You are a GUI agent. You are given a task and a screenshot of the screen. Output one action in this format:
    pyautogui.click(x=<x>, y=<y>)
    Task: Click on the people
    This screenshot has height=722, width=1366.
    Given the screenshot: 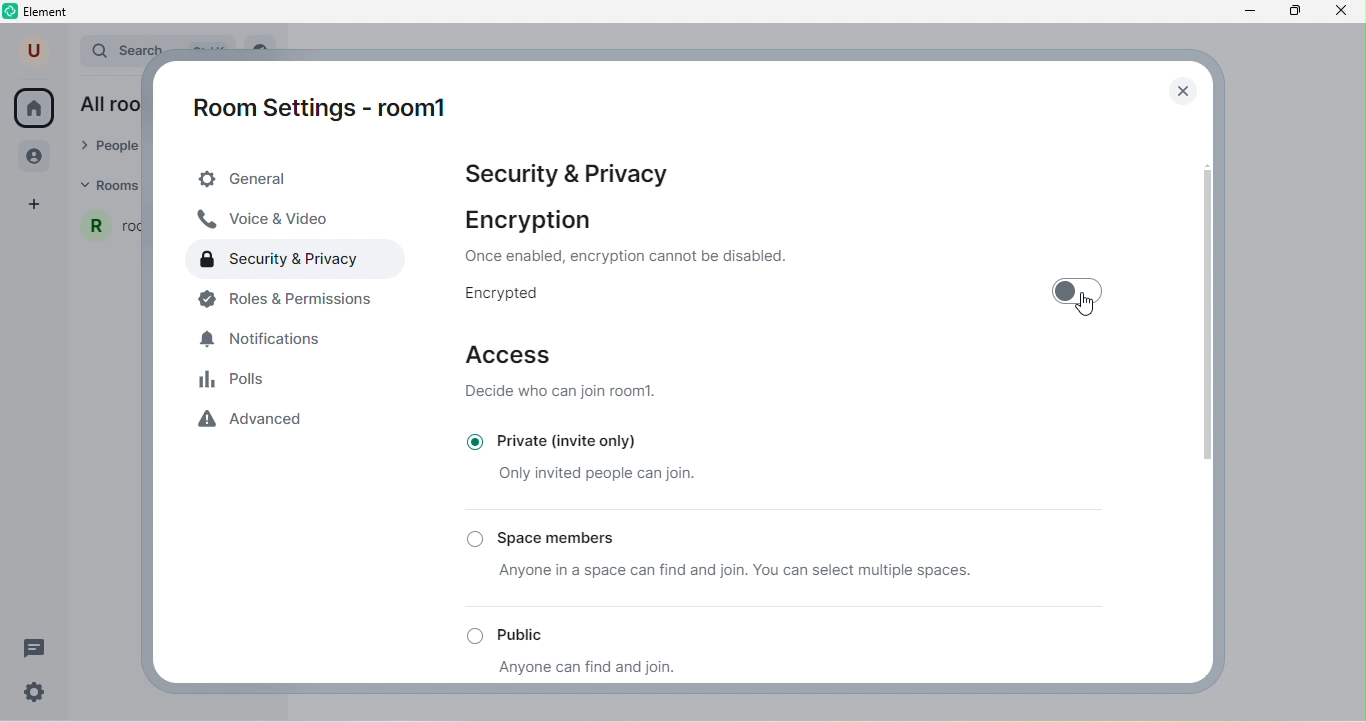 What is the action you would take?
    pyautogui.click(x=37, y=158)
    